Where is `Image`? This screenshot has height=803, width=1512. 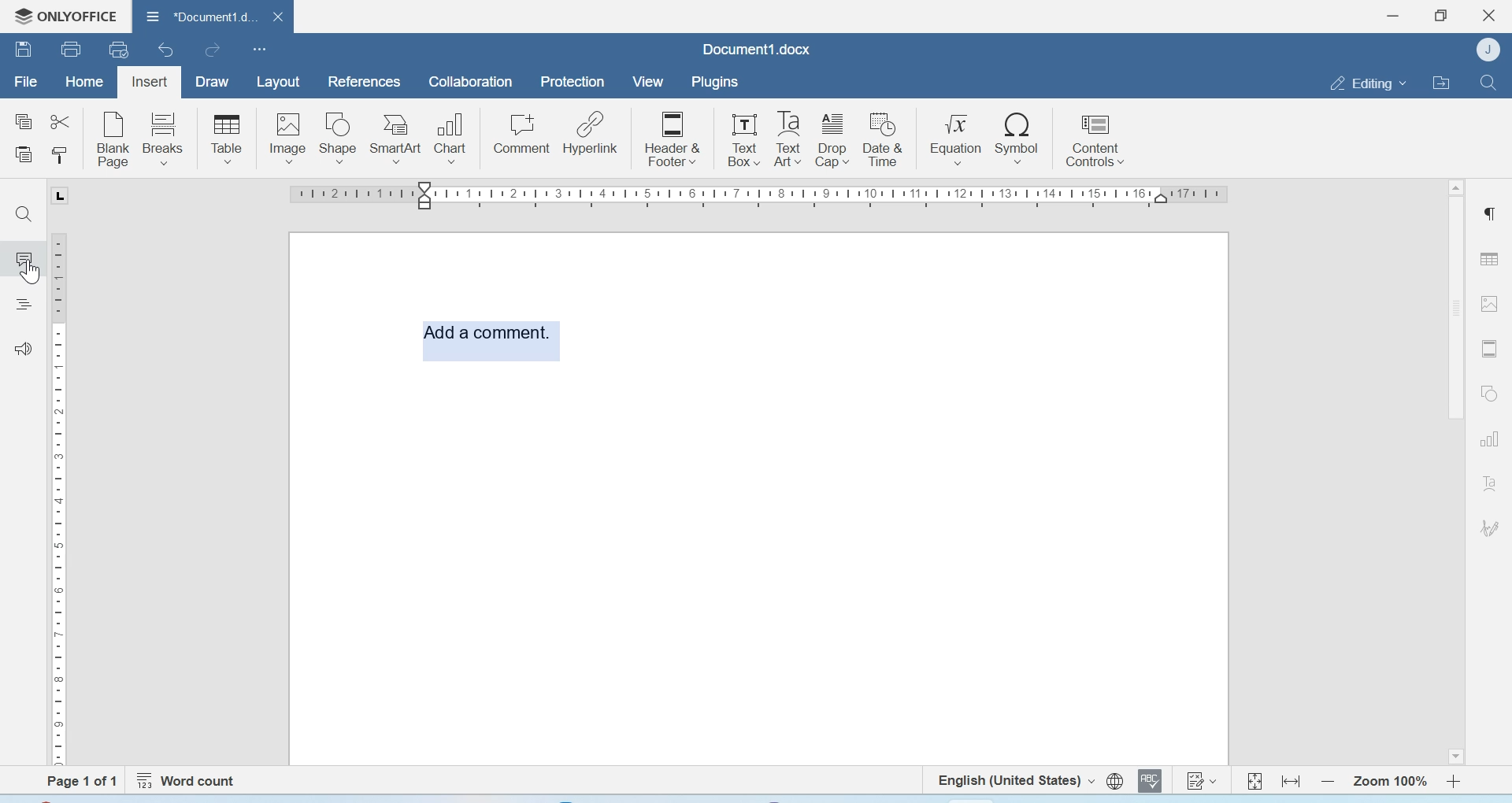
Image is located at coordinates (1490, 302).